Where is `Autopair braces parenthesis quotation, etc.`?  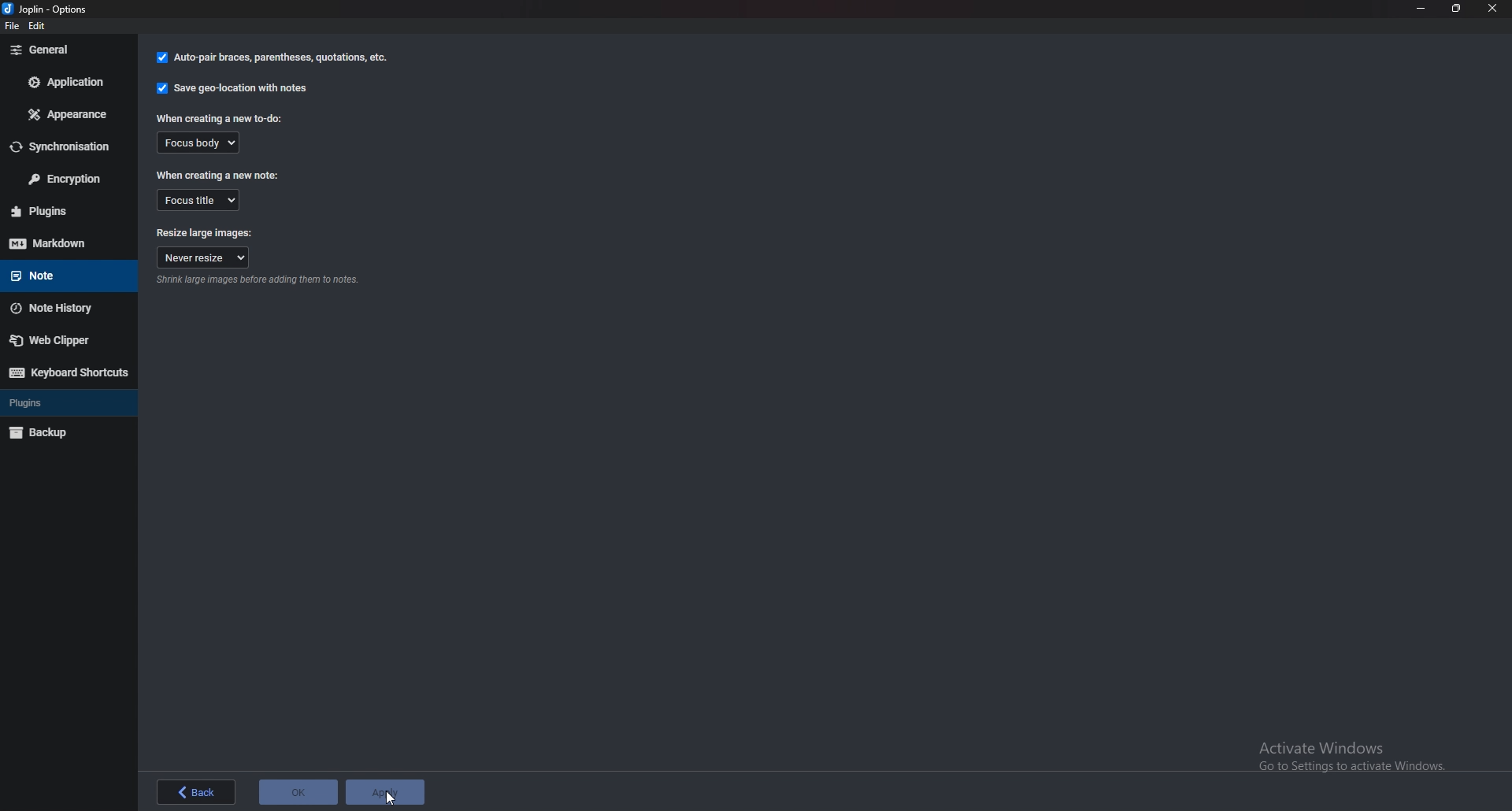
Autopair braces parenthesis quotation, etc. is located at coordinates (272, 59).